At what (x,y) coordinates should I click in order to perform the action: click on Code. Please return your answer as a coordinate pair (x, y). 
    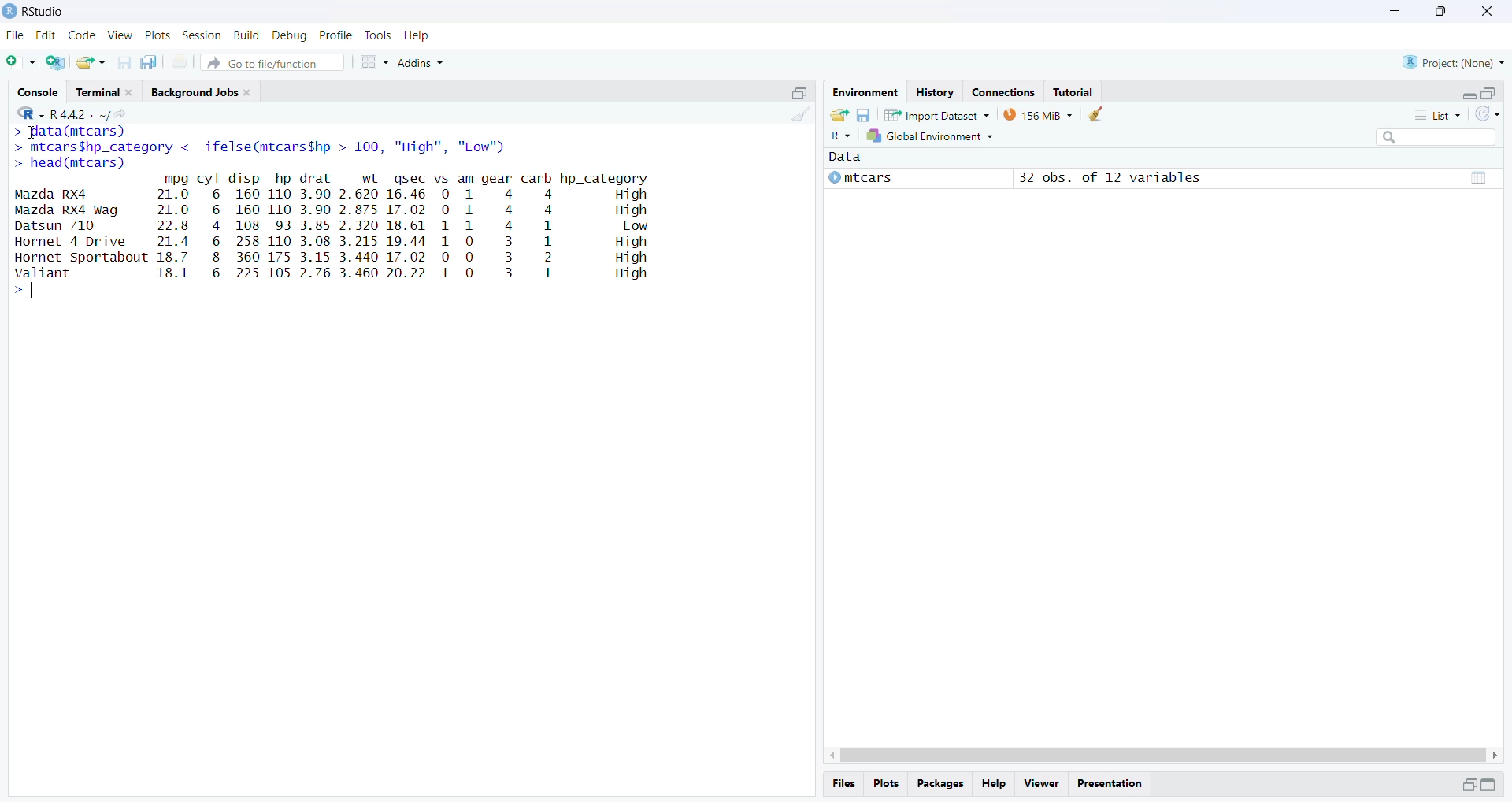
    Looking at the image, I should click on (81, 35).